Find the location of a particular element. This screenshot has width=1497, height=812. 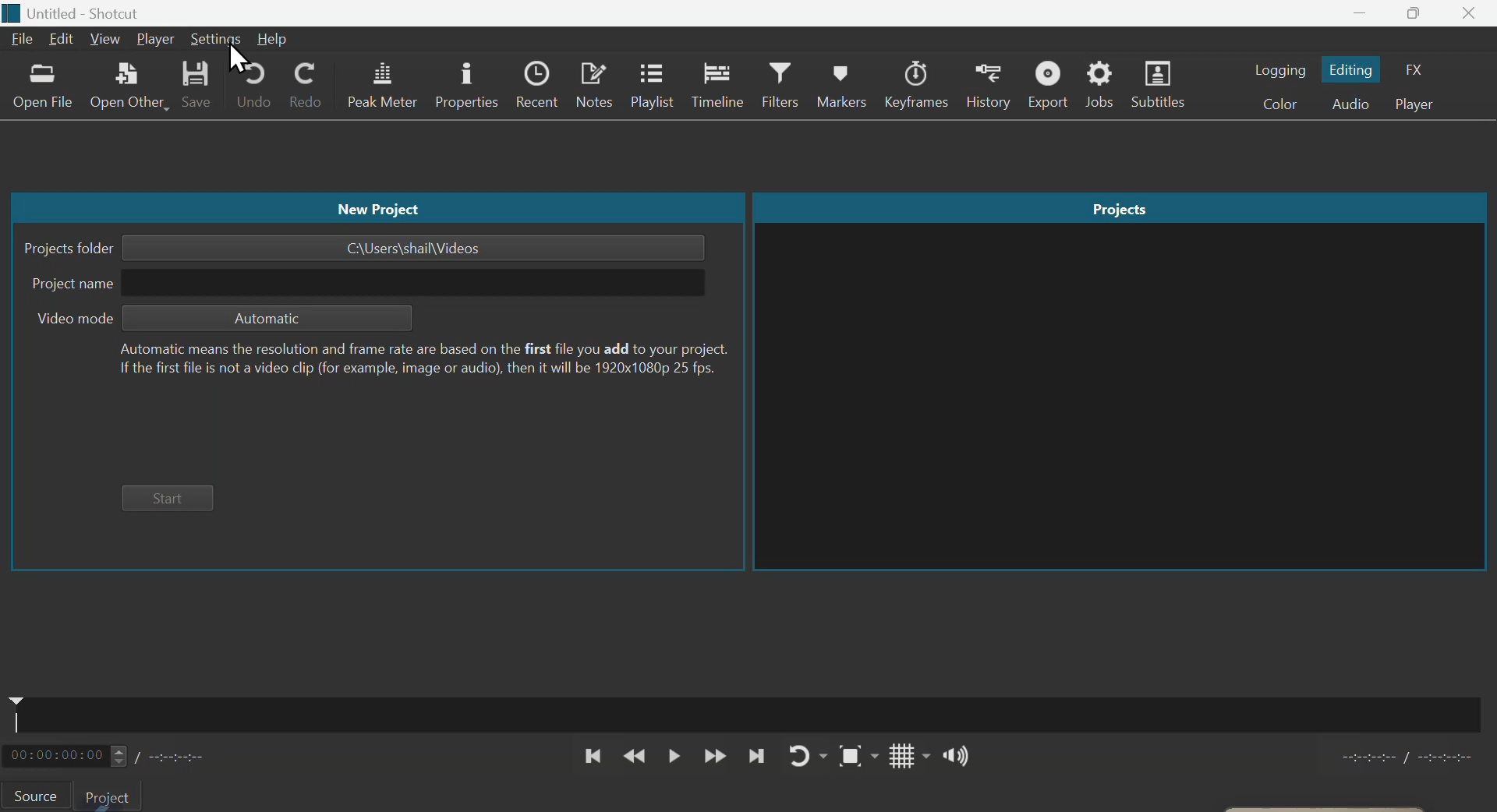

Project name is located at coordinates (367, 283).